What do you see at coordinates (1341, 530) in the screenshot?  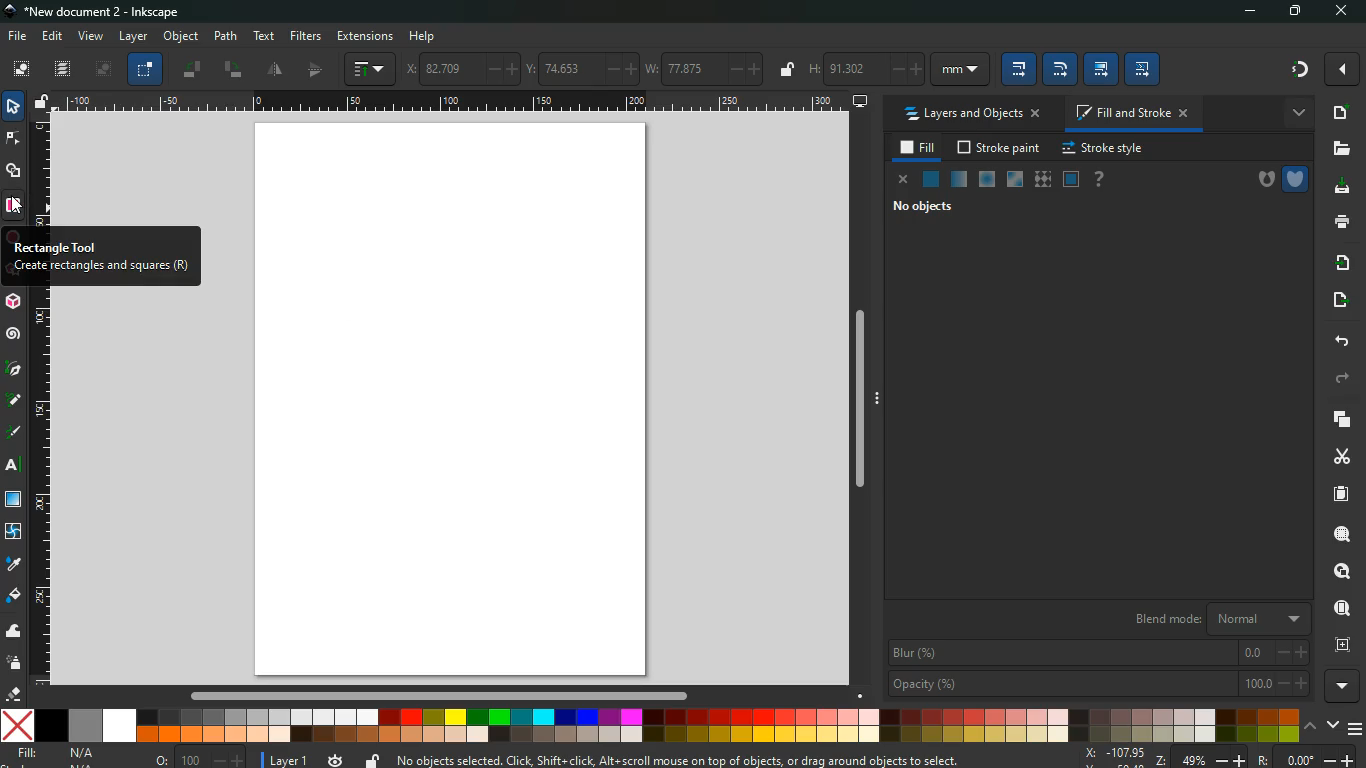 I see `search` at bounding box center [1341, 530].